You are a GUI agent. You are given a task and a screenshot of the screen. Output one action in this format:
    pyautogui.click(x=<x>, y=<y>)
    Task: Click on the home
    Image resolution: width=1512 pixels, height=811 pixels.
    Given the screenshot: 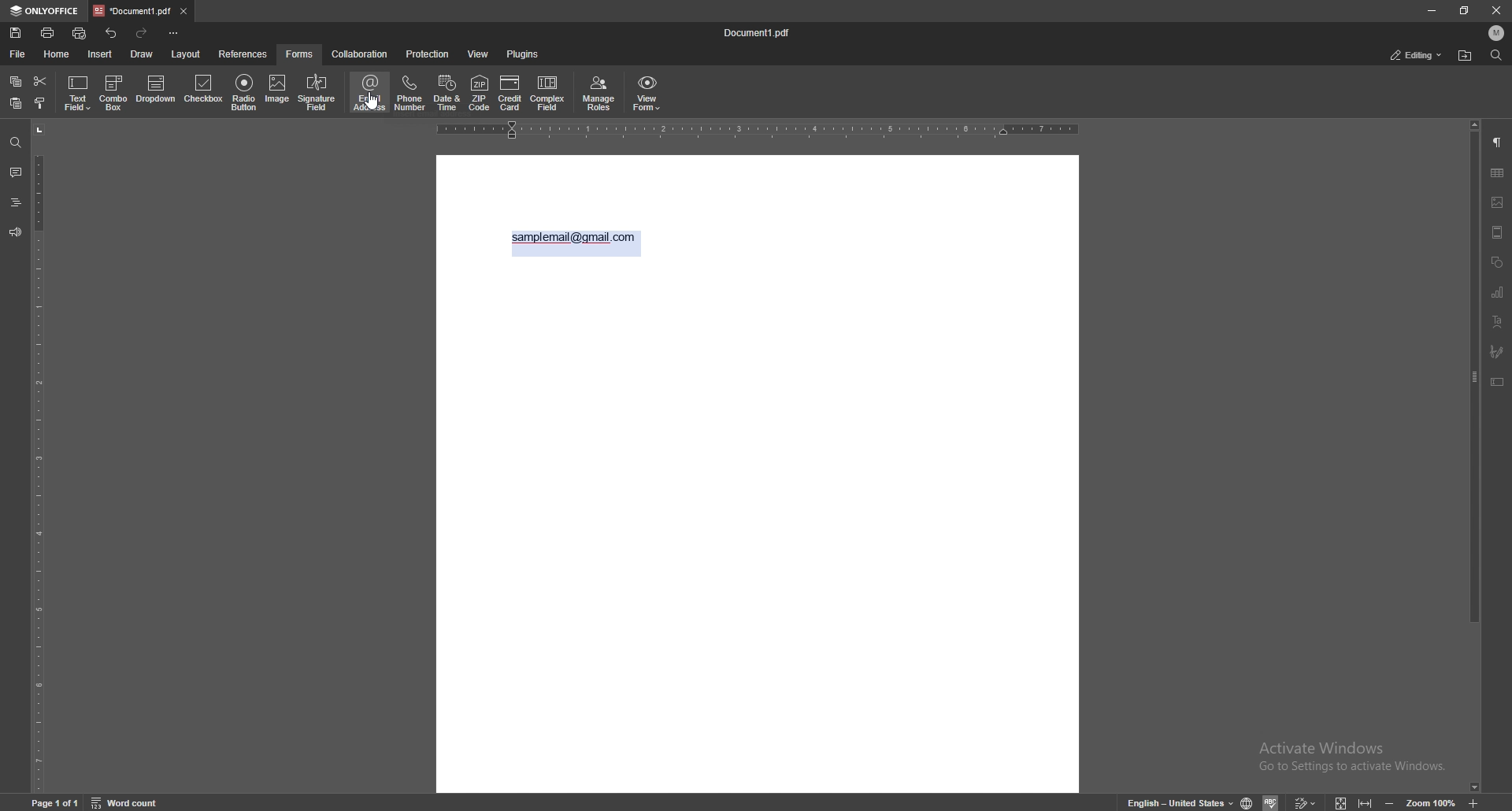 What is the action you would take?
    pyautogui.click(x=56, y=54)
    